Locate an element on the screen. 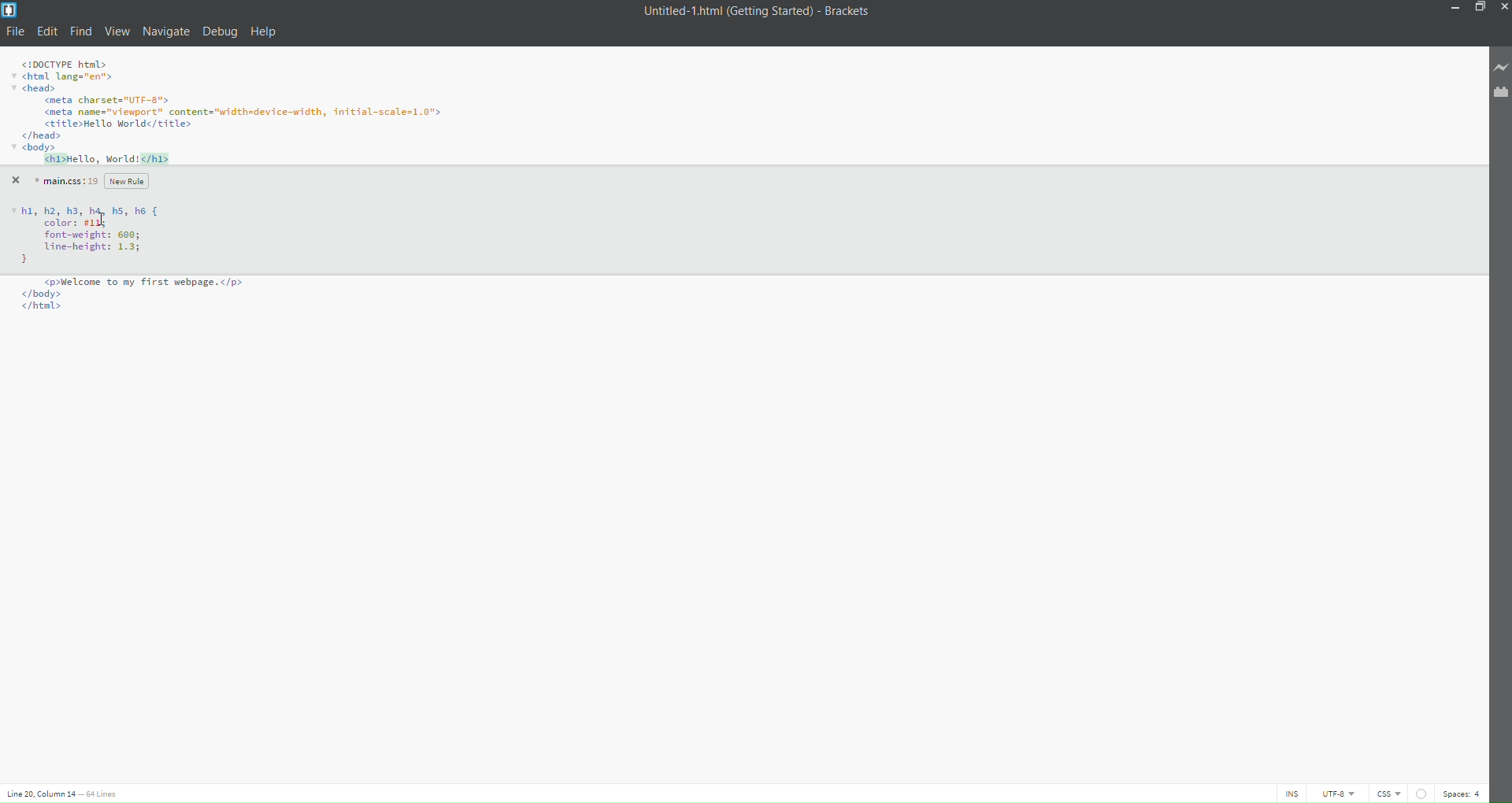 Image resolution: width=1512 pixels, height=803 pixels. close quick edit is located at coordinates (14, 180).